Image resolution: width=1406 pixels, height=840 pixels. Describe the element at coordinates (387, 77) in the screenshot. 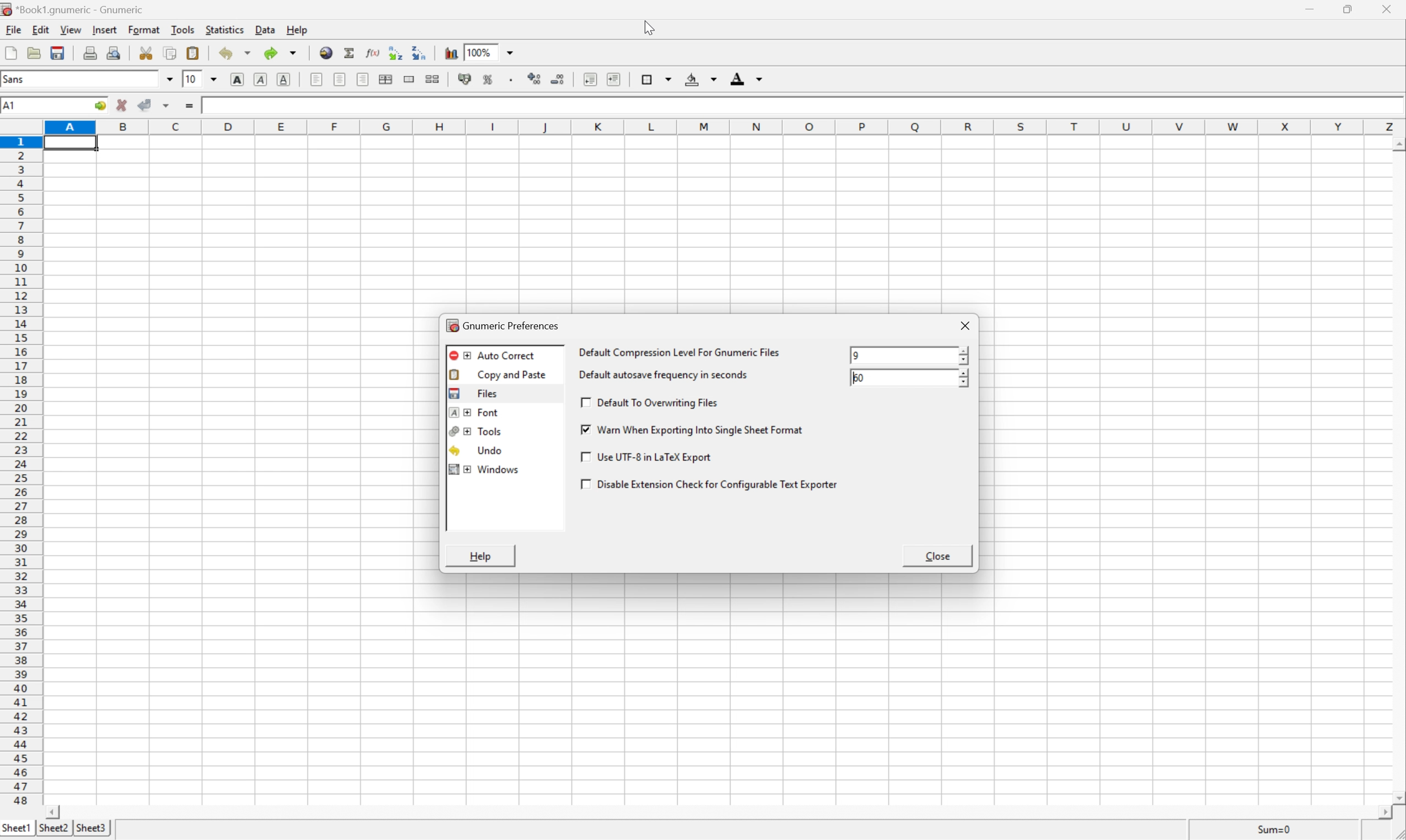

I see `center horizontally across selection` at that location.